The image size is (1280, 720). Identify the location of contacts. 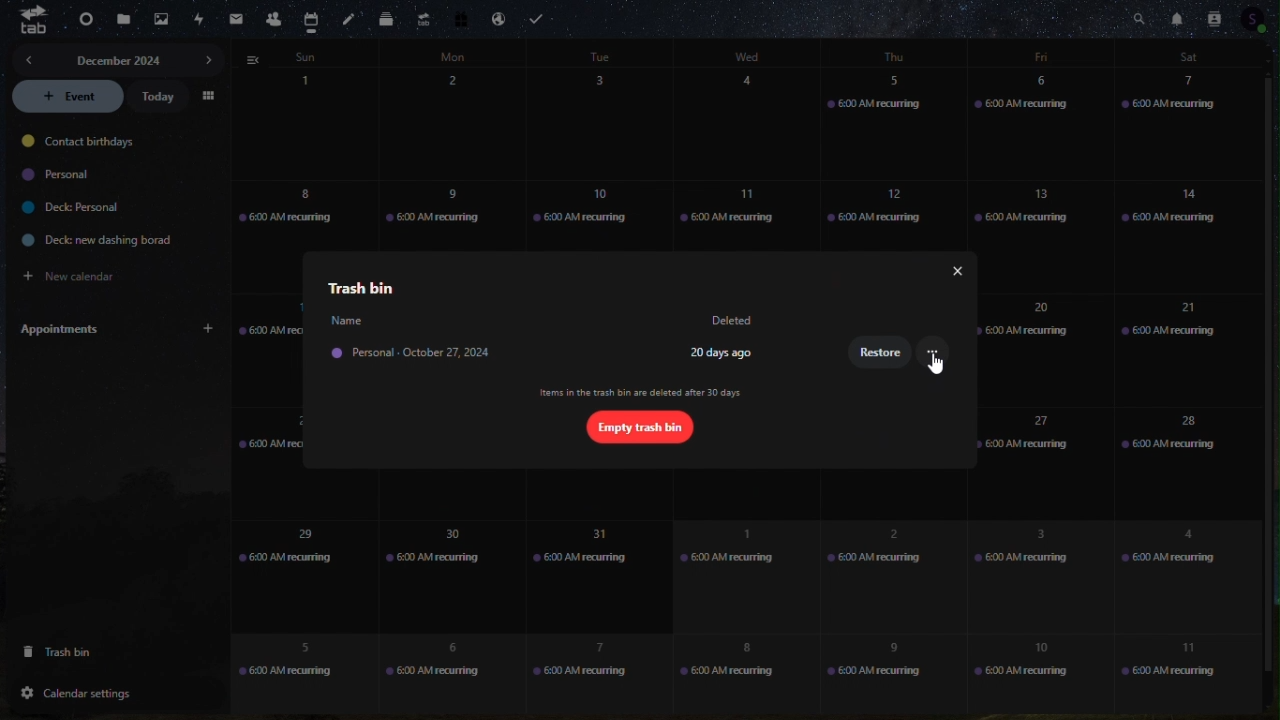
(273, 17).